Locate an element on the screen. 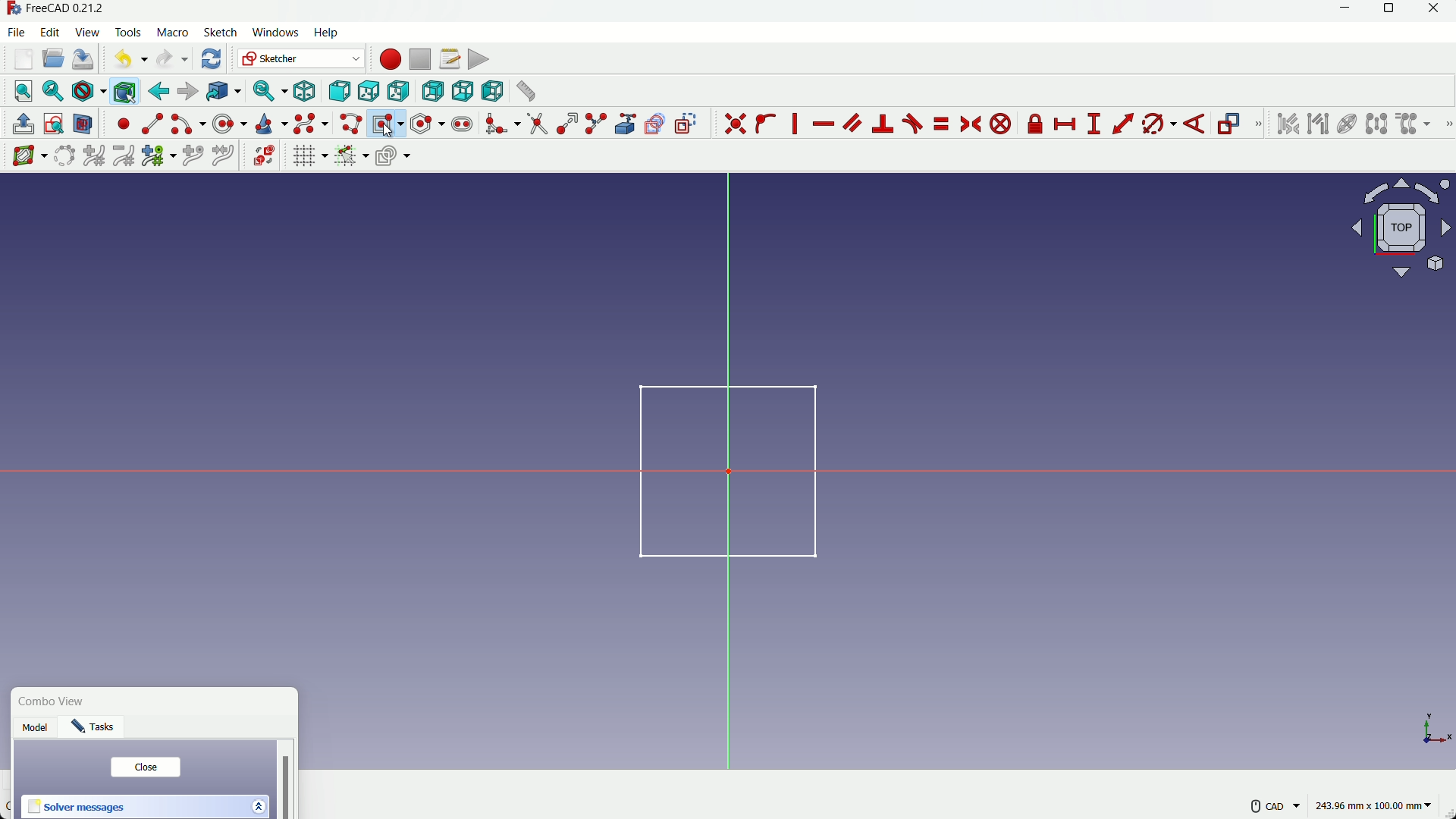 This screenshot has width=1456, height=819. left view is located at coordinates (490, 90).